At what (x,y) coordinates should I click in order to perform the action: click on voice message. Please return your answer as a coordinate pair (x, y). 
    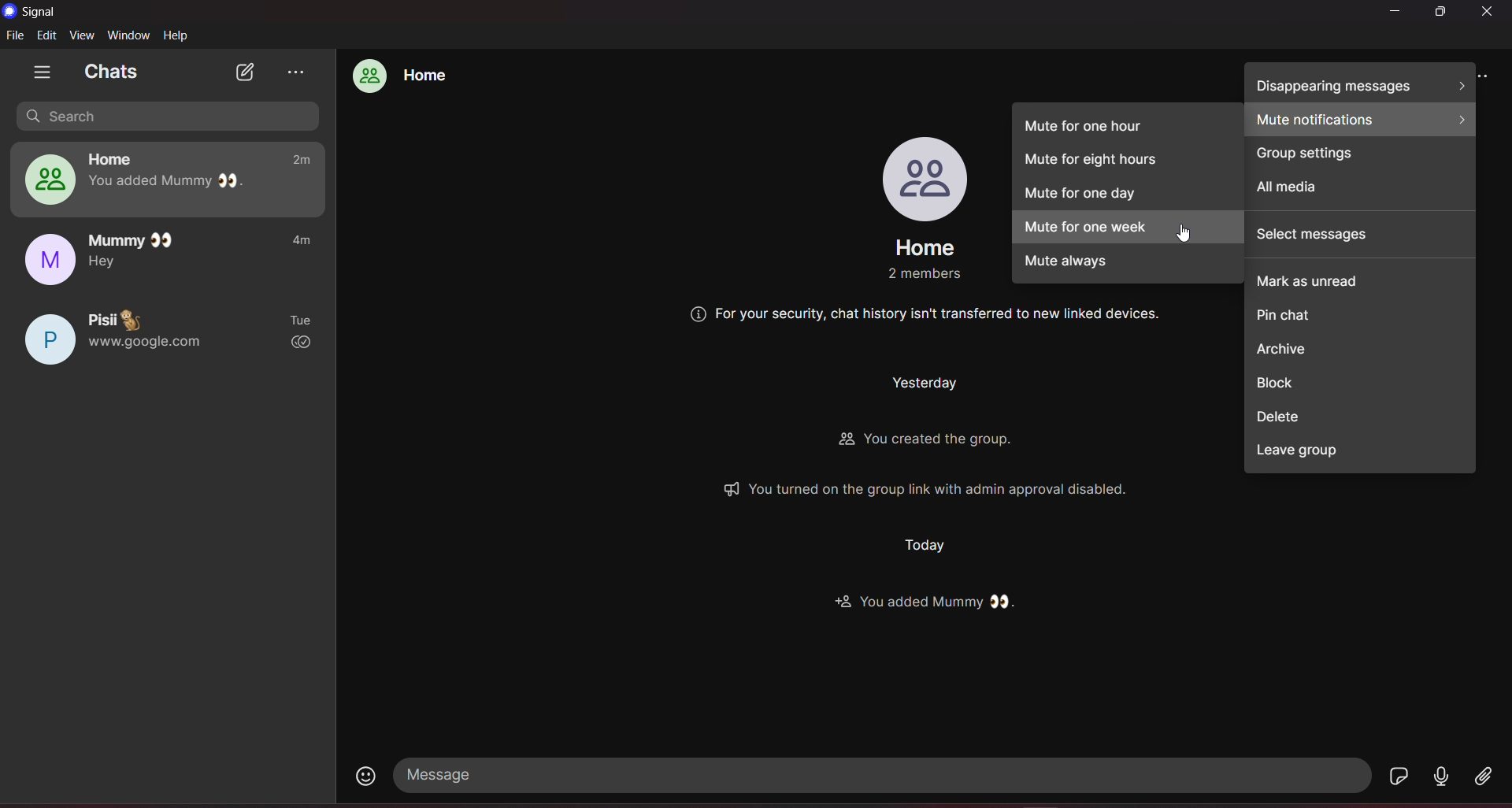
    Looking at the image, I should click on (1440, 776).